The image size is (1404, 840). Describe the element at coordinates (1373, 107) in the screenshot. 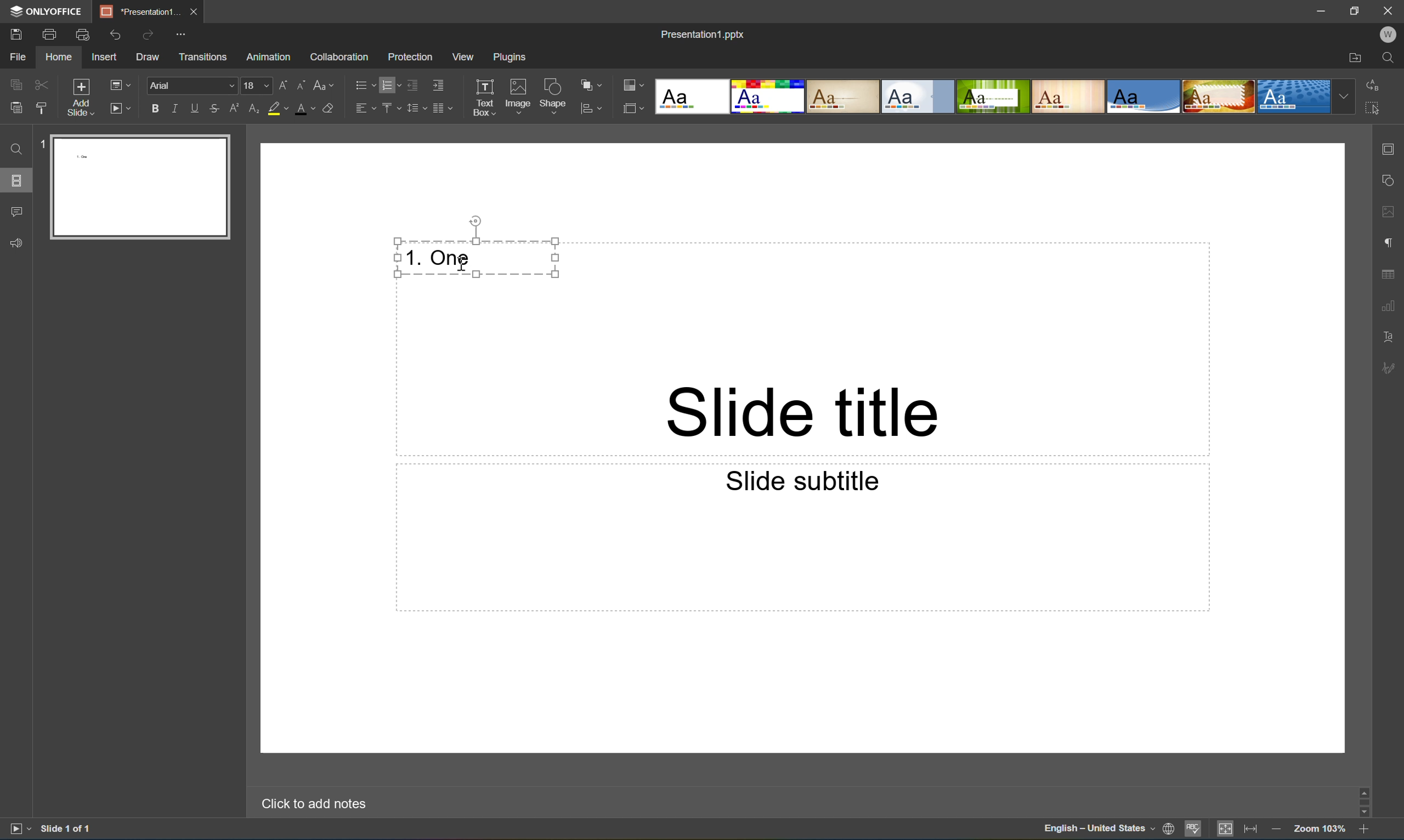

I see `Select all` at that location.